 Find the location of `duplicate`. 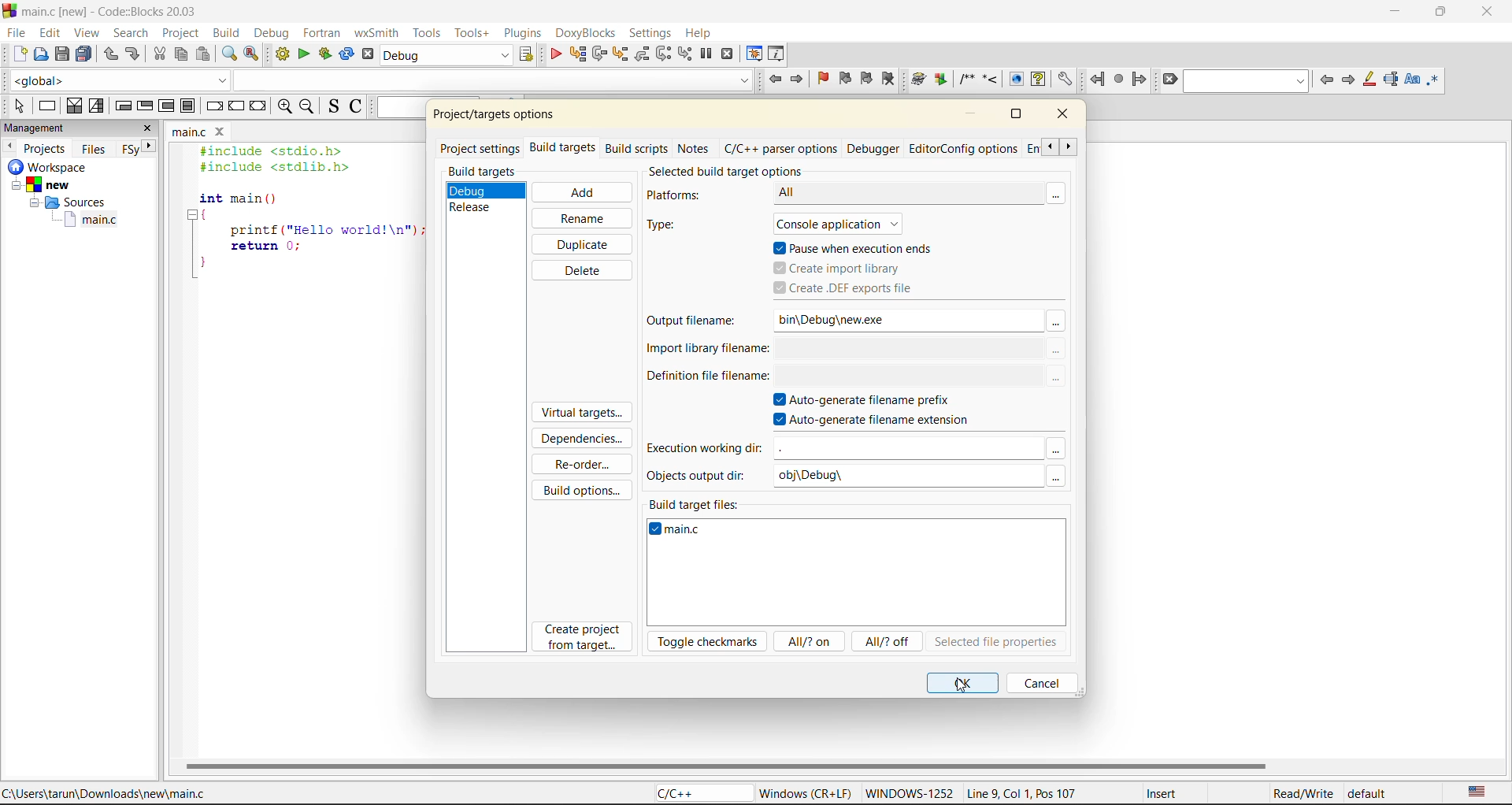

duplicate is located at coordinates (584, 243).